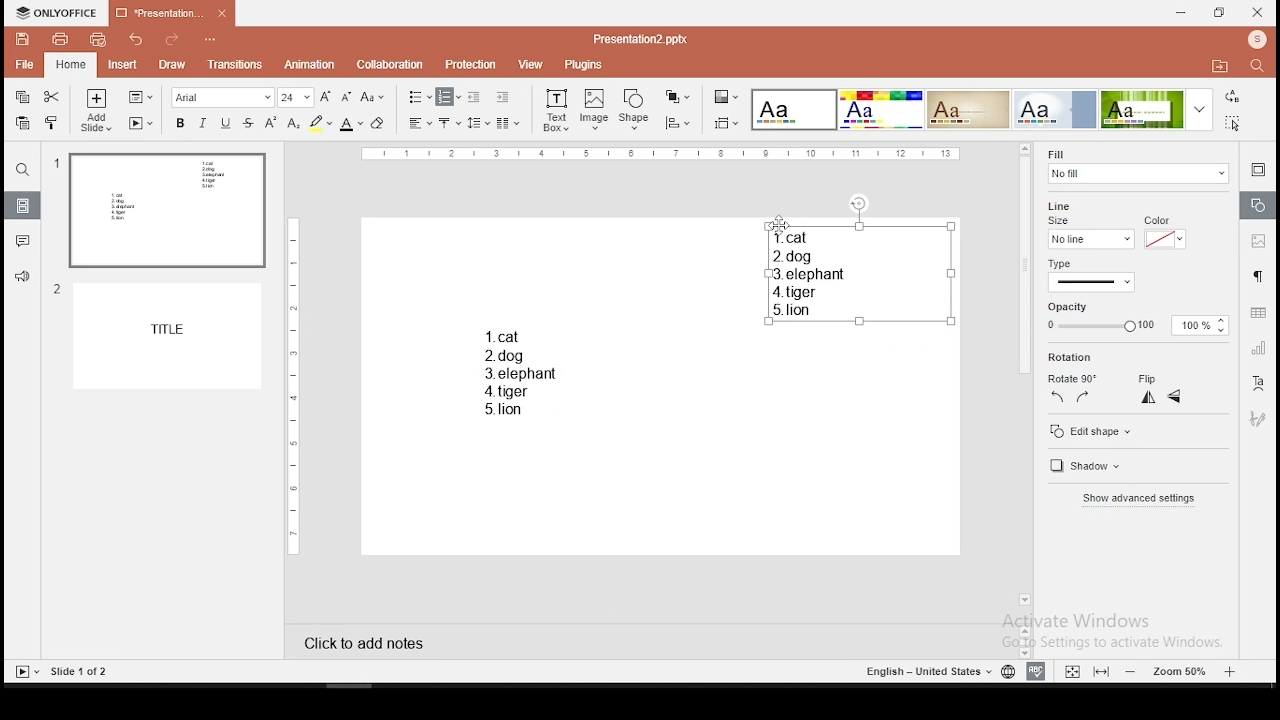 The width and height of the screenshot is (1280, 720). What do you see at coordinates (232, 66) in the screenshot?
I see `transitions` at bounding box center [232, 66].